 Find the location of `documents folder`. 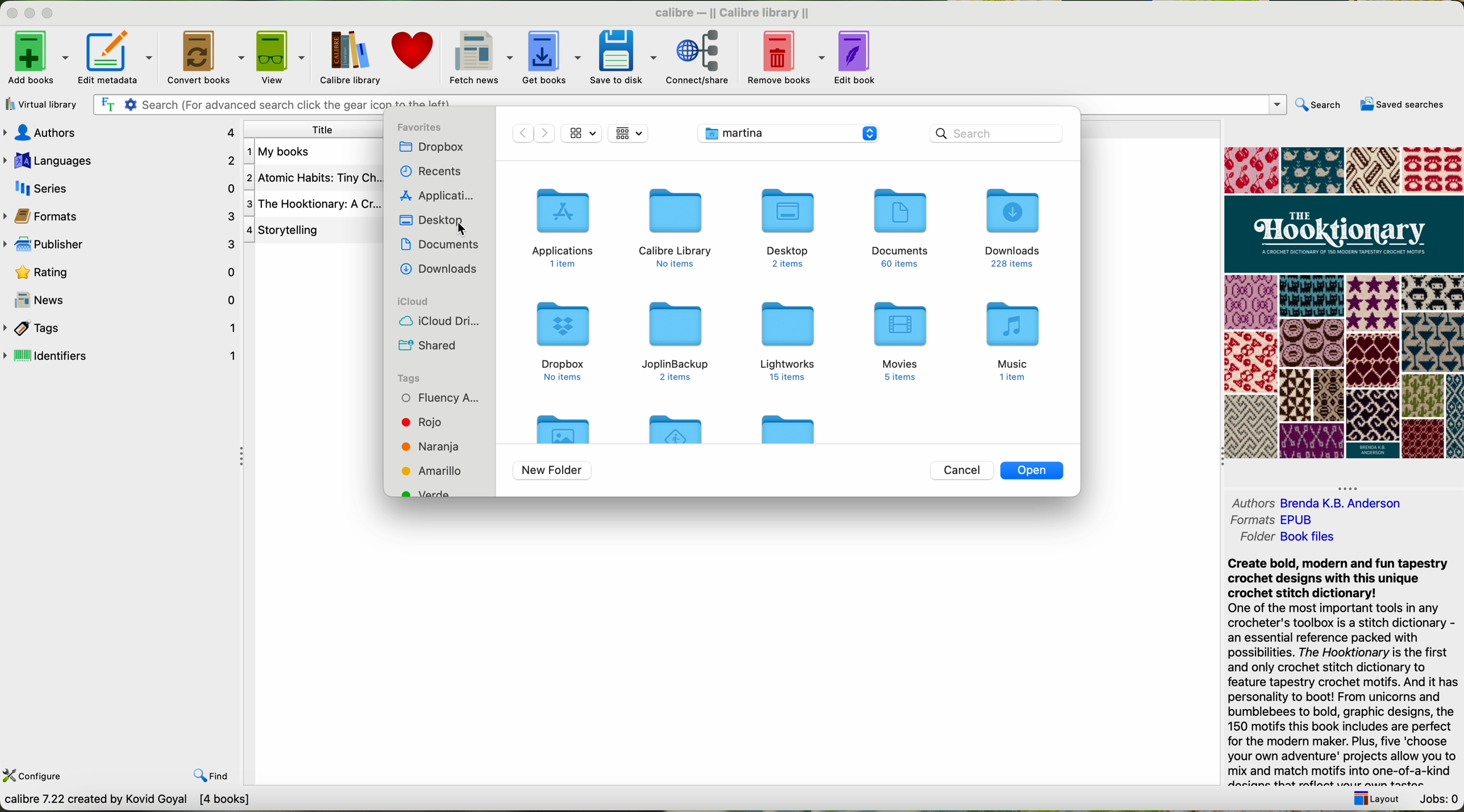

documents folder is located at coordinates (902, 228).